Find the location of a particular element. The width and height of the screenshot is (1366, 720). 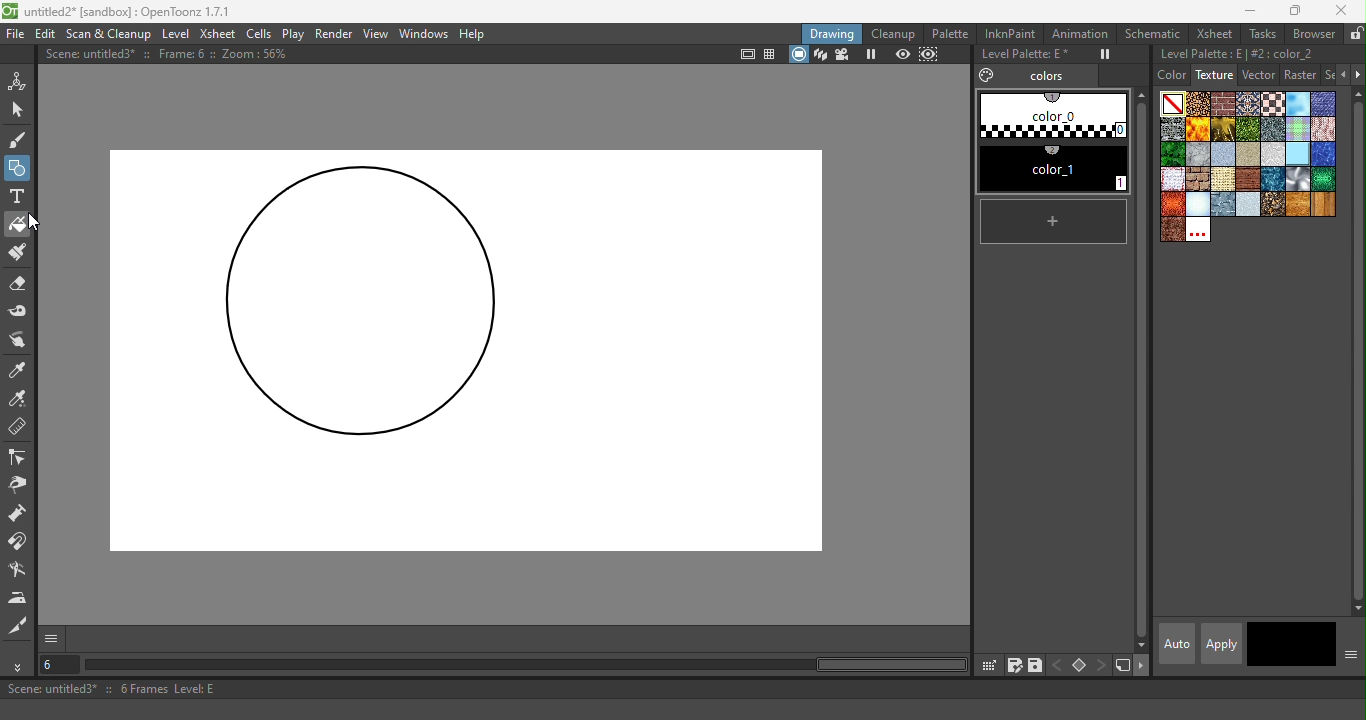

Close is located at coordinates (1344, 12).